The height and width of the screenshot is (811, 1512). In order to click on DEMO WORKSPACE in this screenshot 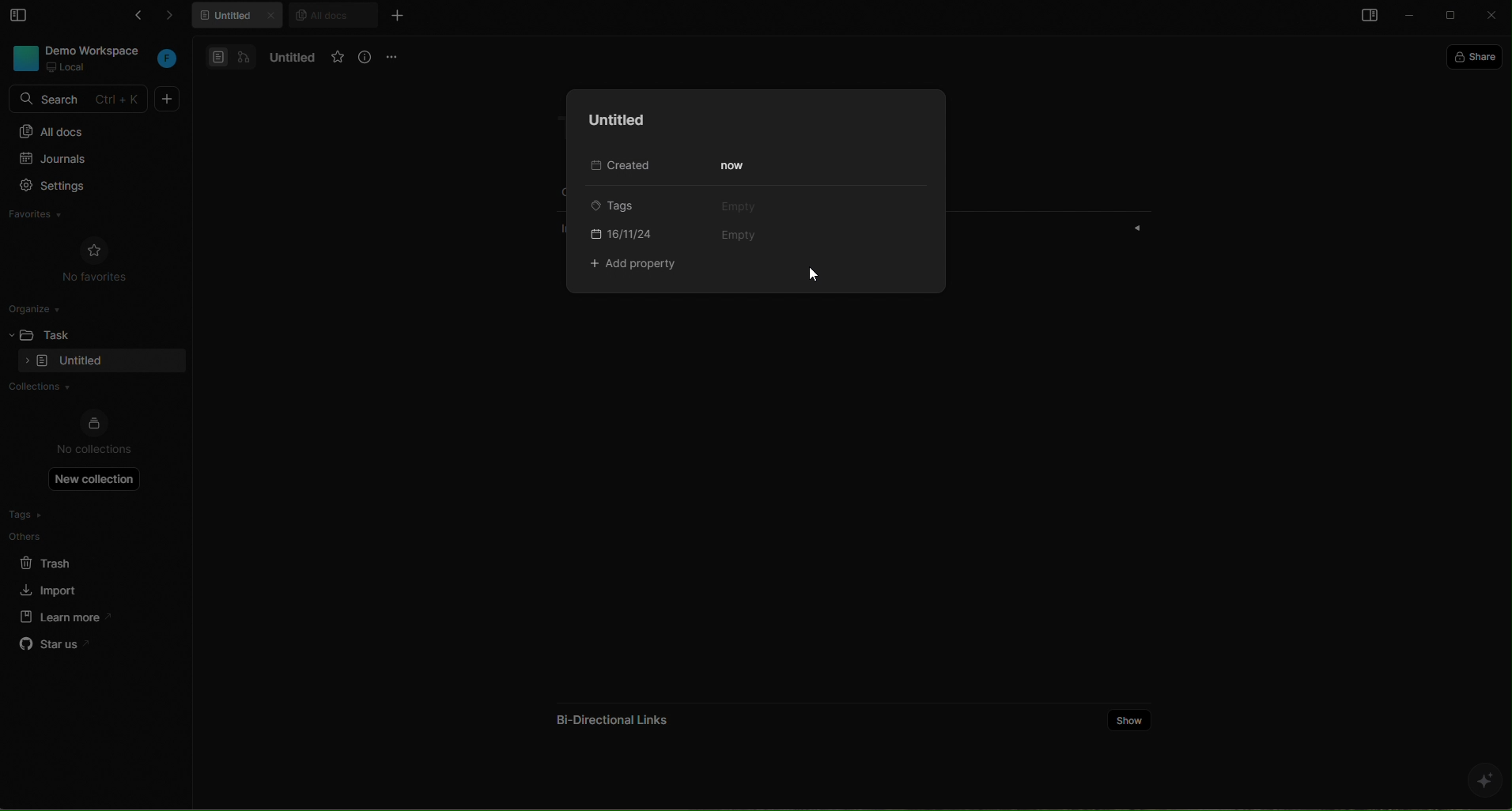, I will do `click(97, 50)`.